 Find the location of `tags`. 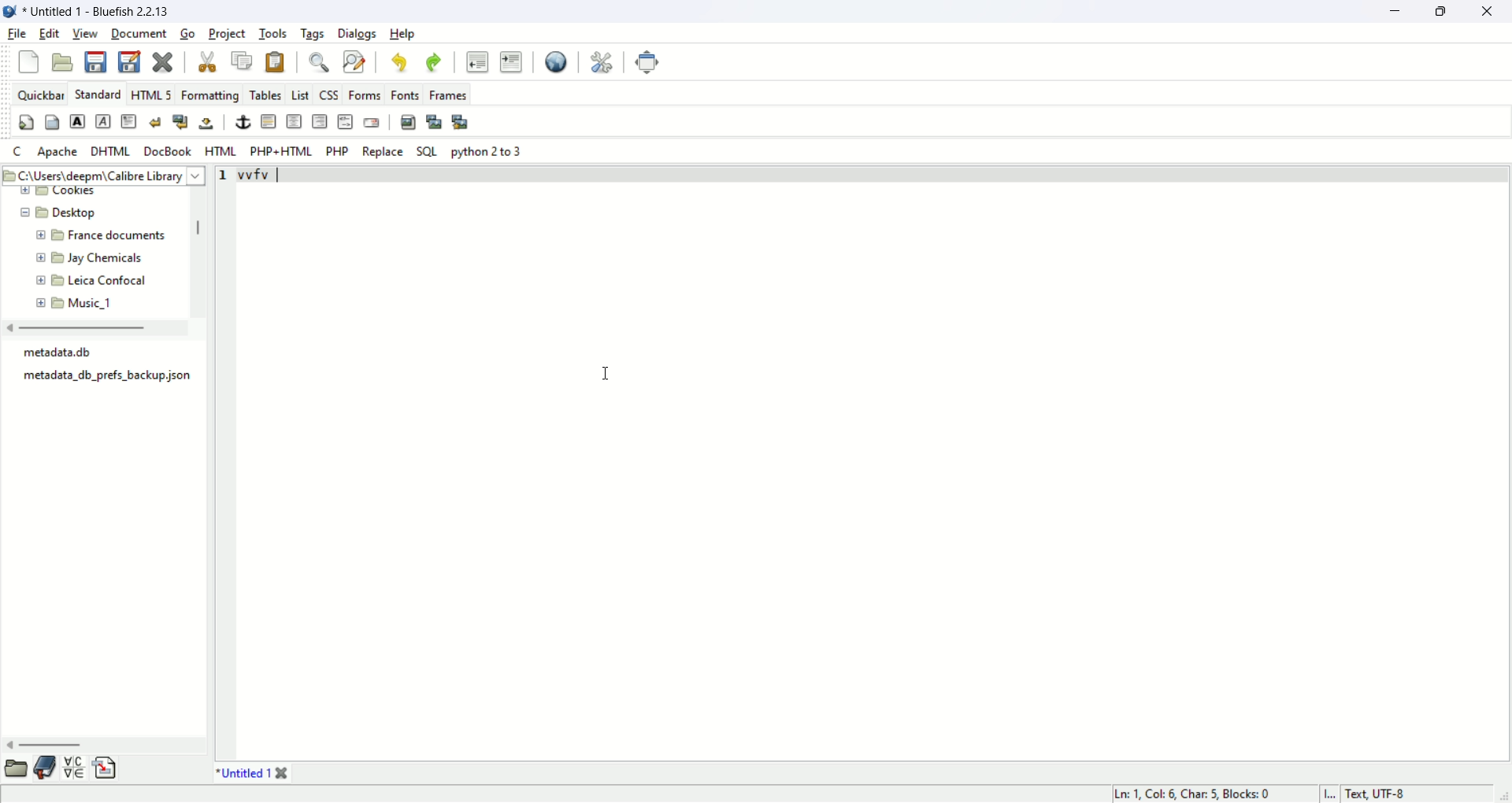

tags is located at coordinates (317, 35).